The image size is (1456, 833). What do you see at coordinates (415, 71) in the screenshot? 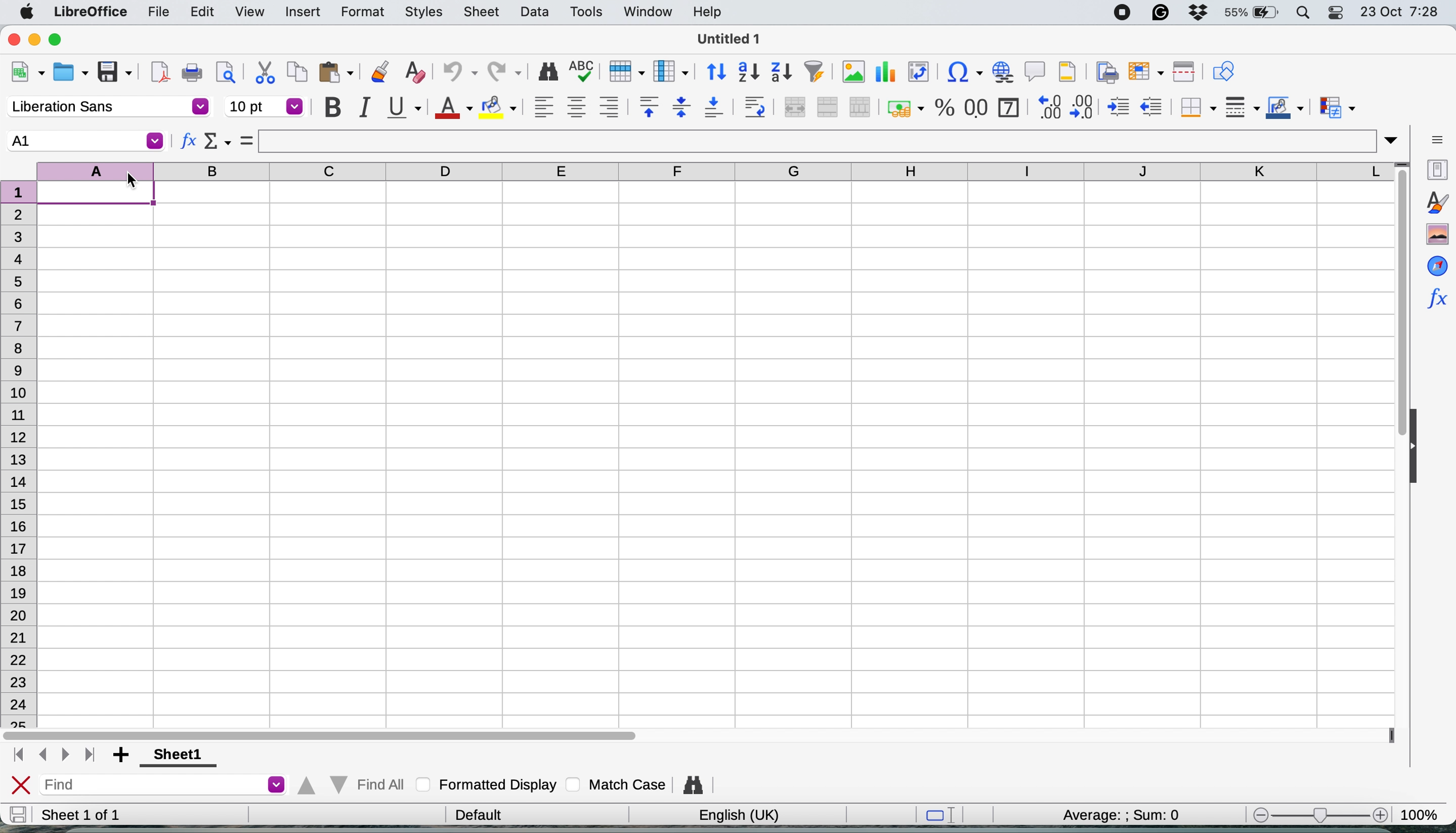
I see `clear direct formatting` at bounding box center [415, 71].